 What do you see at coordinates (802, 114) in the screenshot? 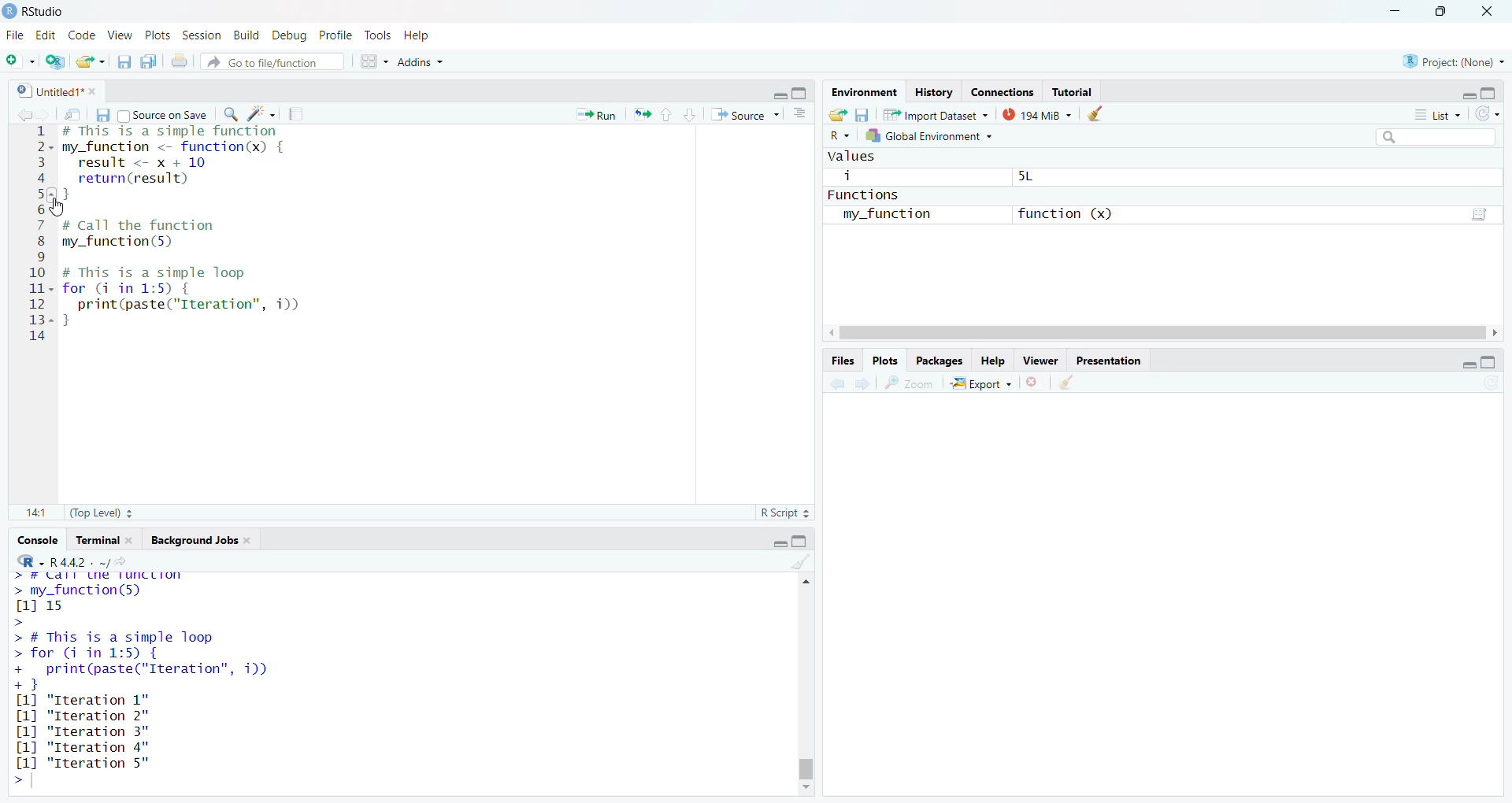
I see `show document outline` at bounding box center [802, 114].